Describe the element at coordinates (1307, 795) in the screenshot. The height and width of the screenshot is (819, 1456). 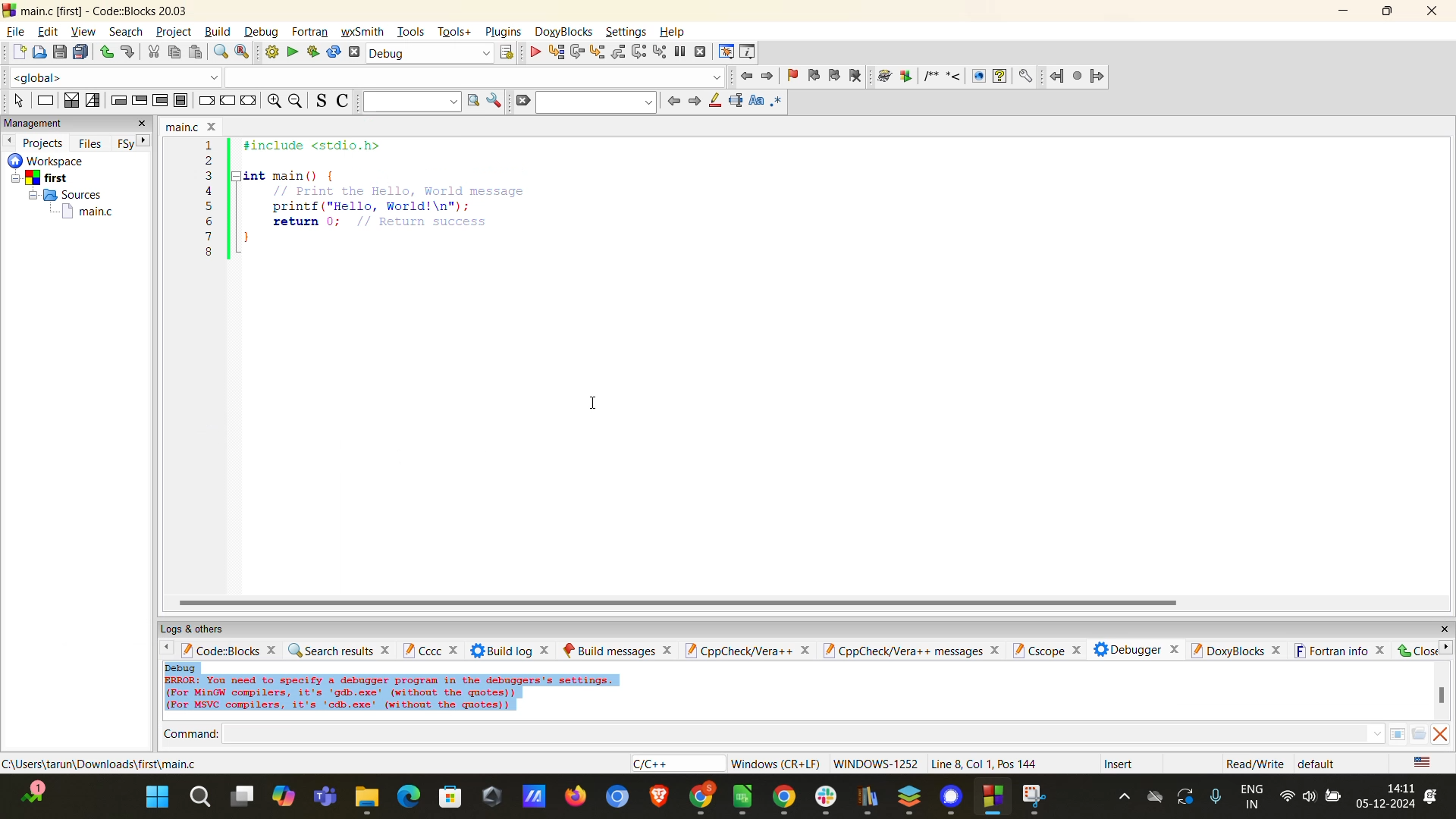
I see `volume` at that location.